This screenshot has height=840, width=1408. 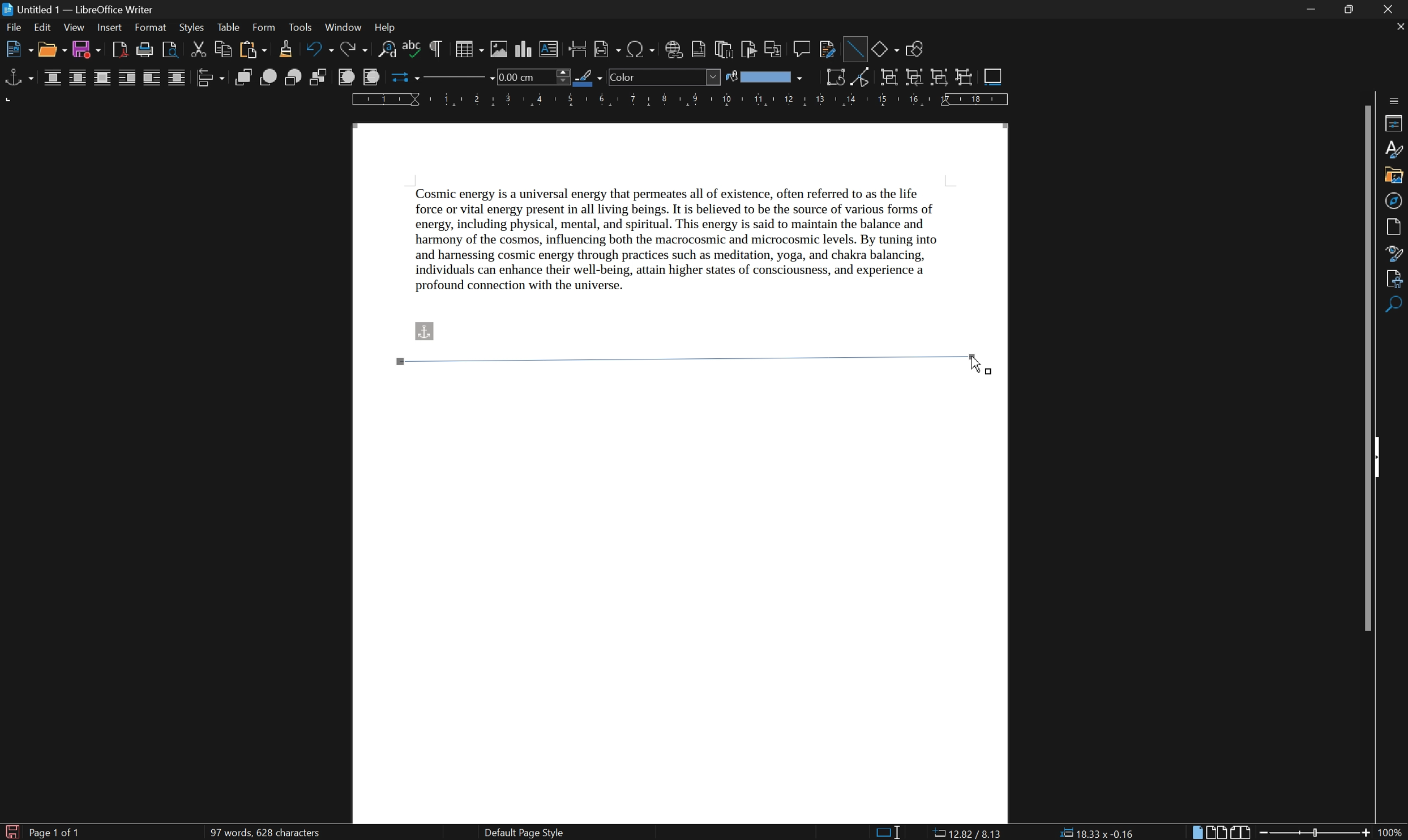 I want to click on tools, so click(x=301, y=28).